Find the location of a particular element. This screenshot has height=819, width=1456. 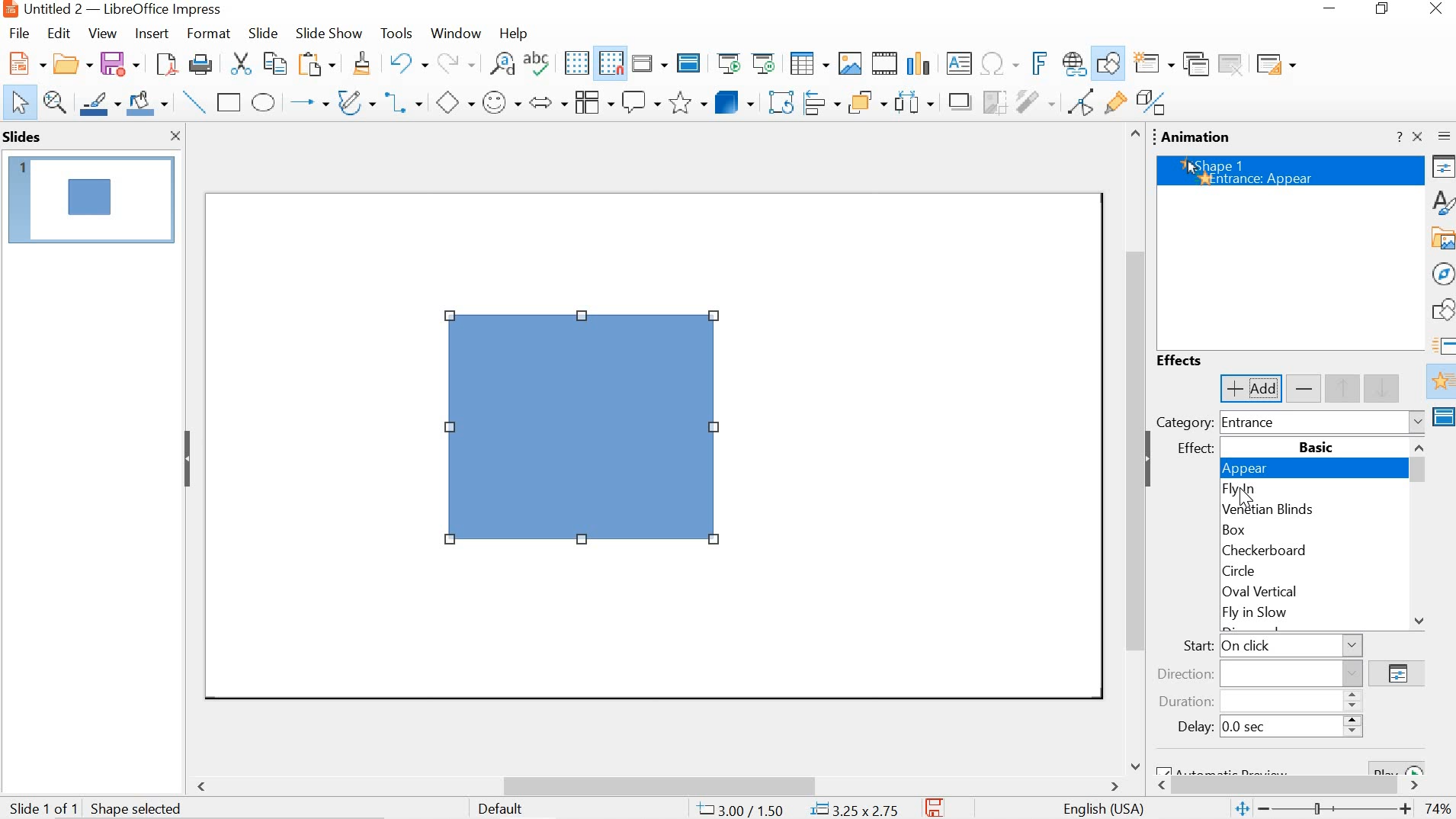

Move up is located at coordinates (1420, 446).